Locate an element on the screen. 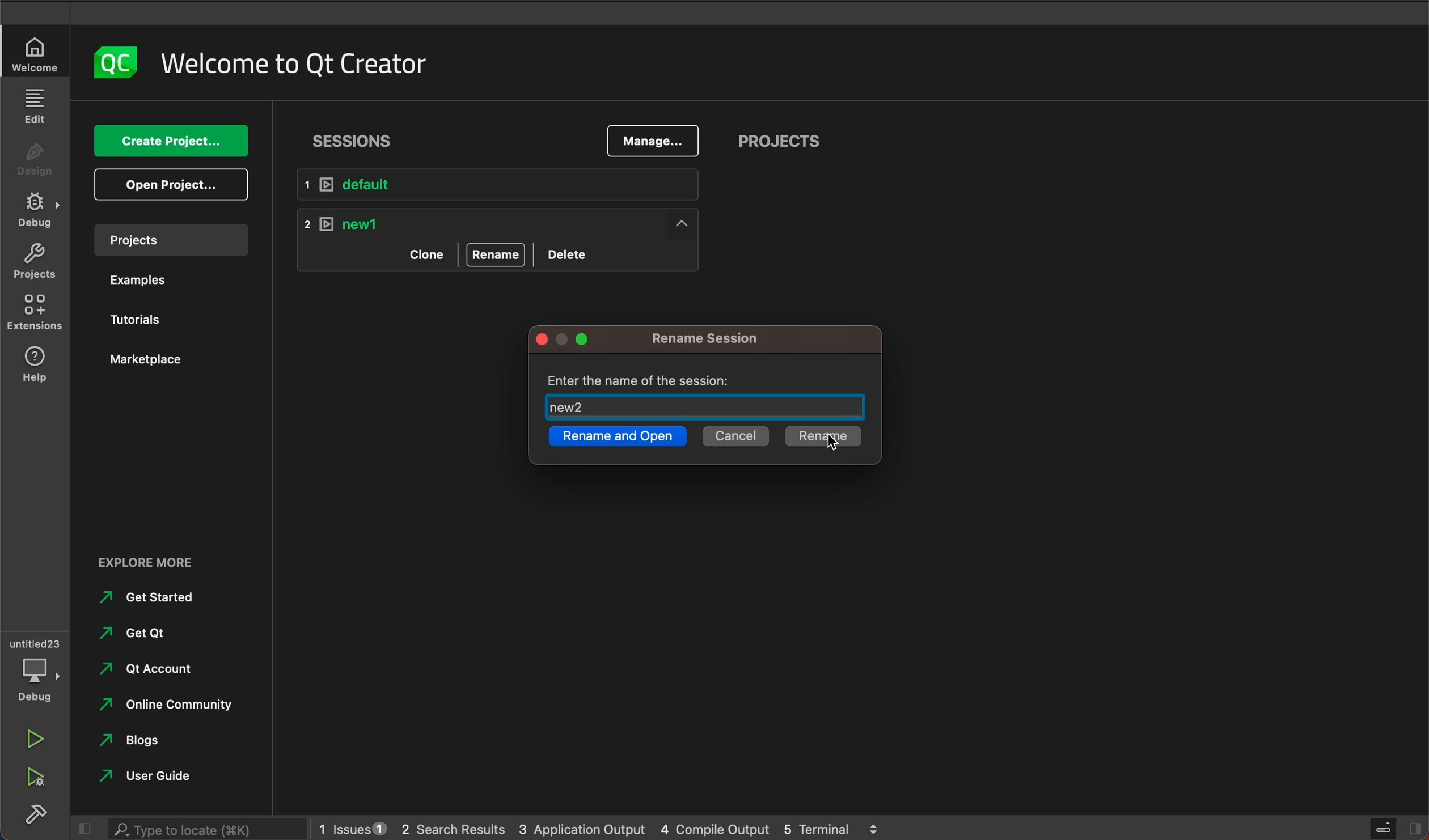 The height and width of the screenshot is (840, 1429). DEFAULT is located at coordinates (507, 185).